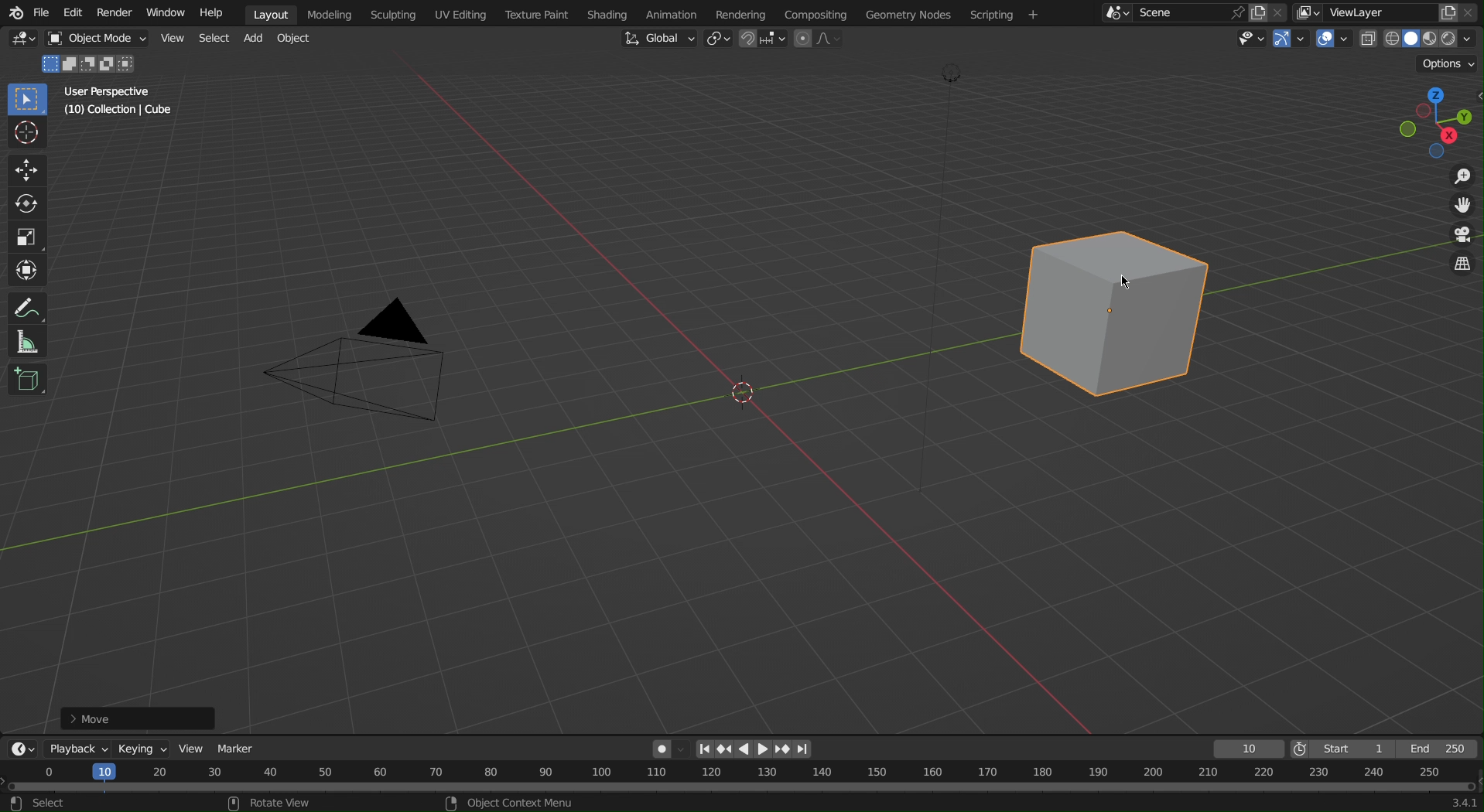  I want to click on Select Box, so click(26, 100).